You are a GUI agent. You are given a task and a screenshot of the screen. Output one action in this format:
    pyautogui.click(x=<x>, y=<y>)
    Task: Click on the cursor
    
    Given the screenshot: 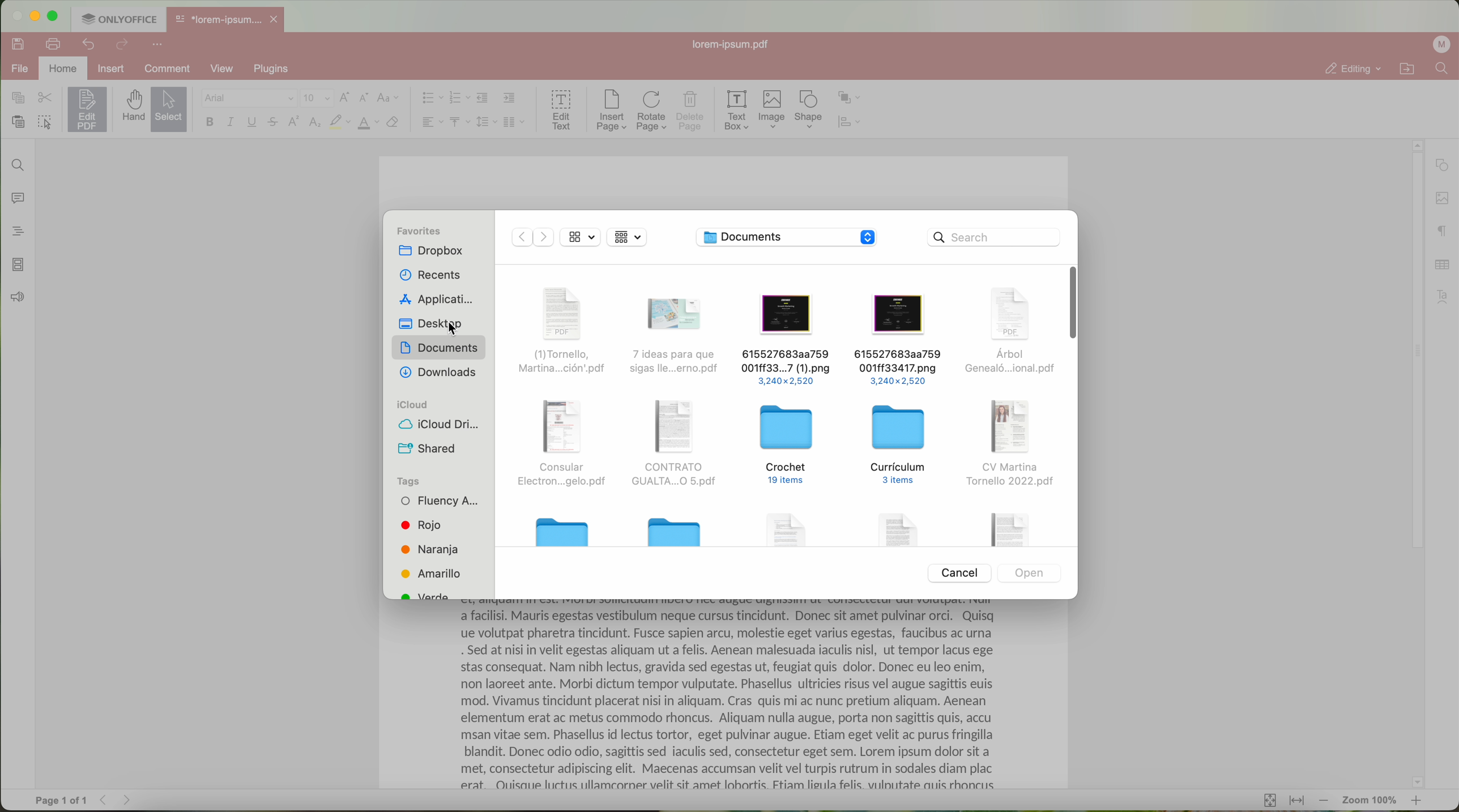 What is the action you would take?
    pyautogui.click(x=457, y=330)
    